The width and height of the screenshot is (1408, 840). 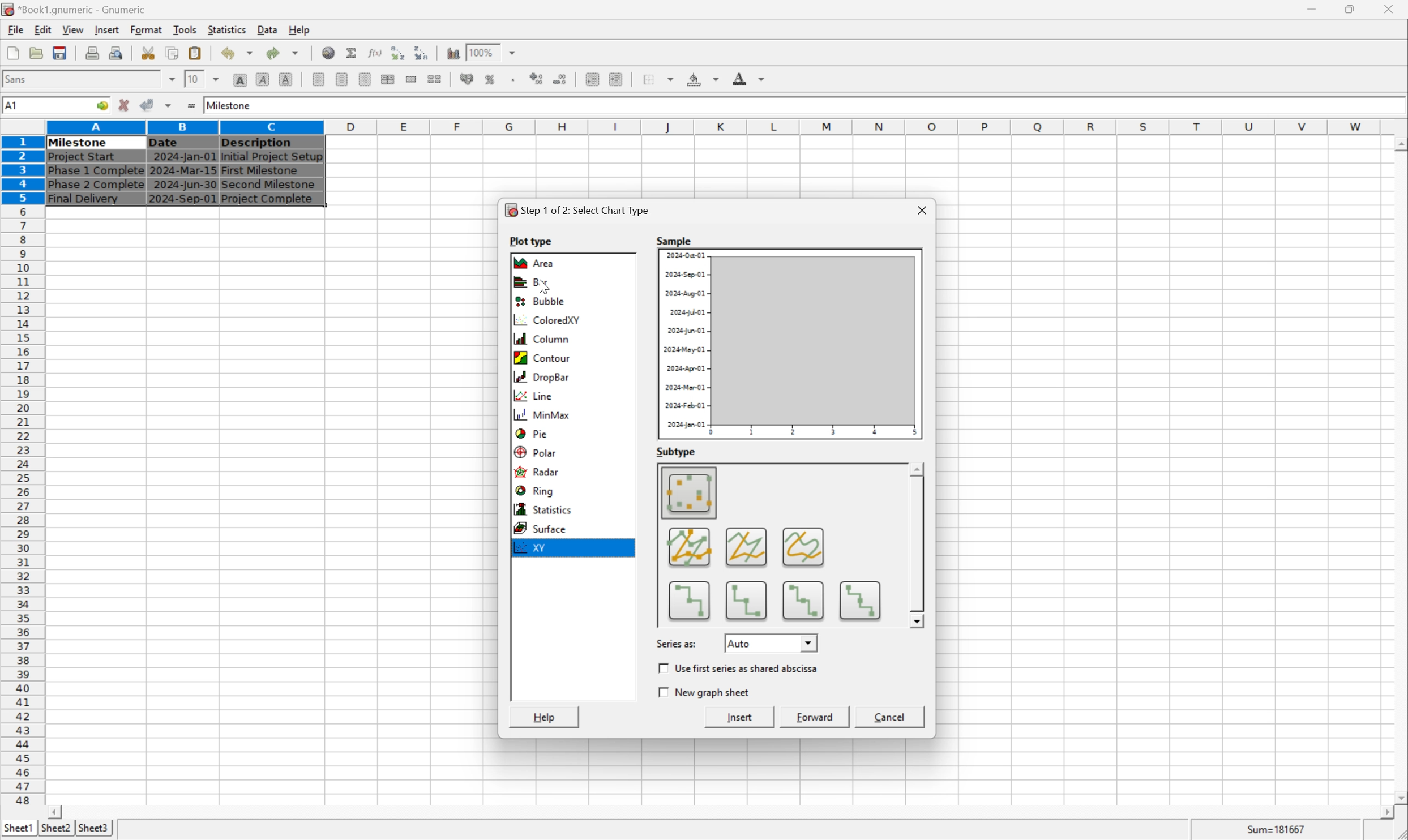 What do you see at coordinates (562, 80) in the screenshot?
I see `decrease number of decimals displayed` at bounding box center [562, 80].